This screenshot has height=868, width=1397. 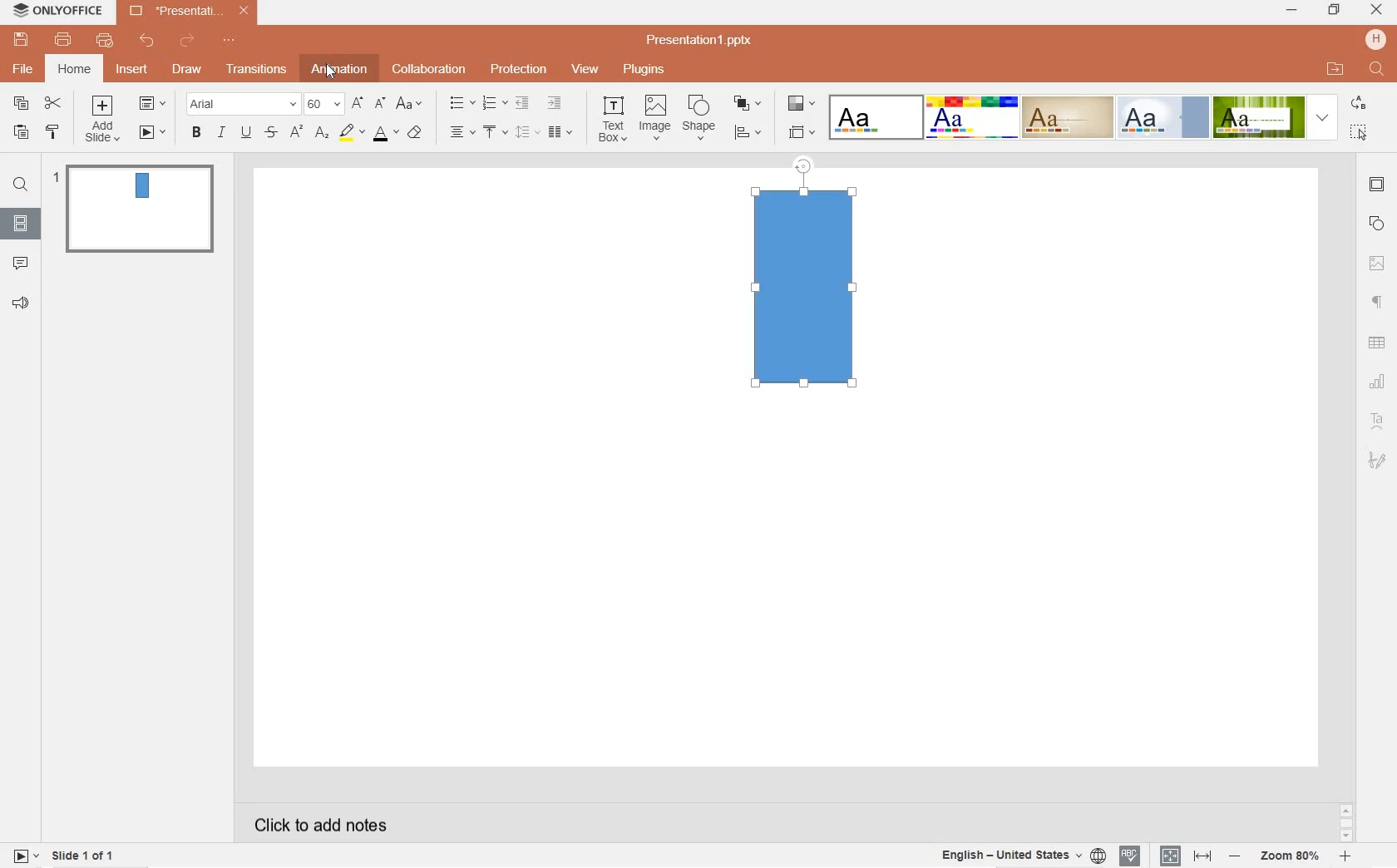 What do you see at coordinates (193, 12) in the screenshot?
I see `*Presentation1.pptx` at bounding box center [193, 12].